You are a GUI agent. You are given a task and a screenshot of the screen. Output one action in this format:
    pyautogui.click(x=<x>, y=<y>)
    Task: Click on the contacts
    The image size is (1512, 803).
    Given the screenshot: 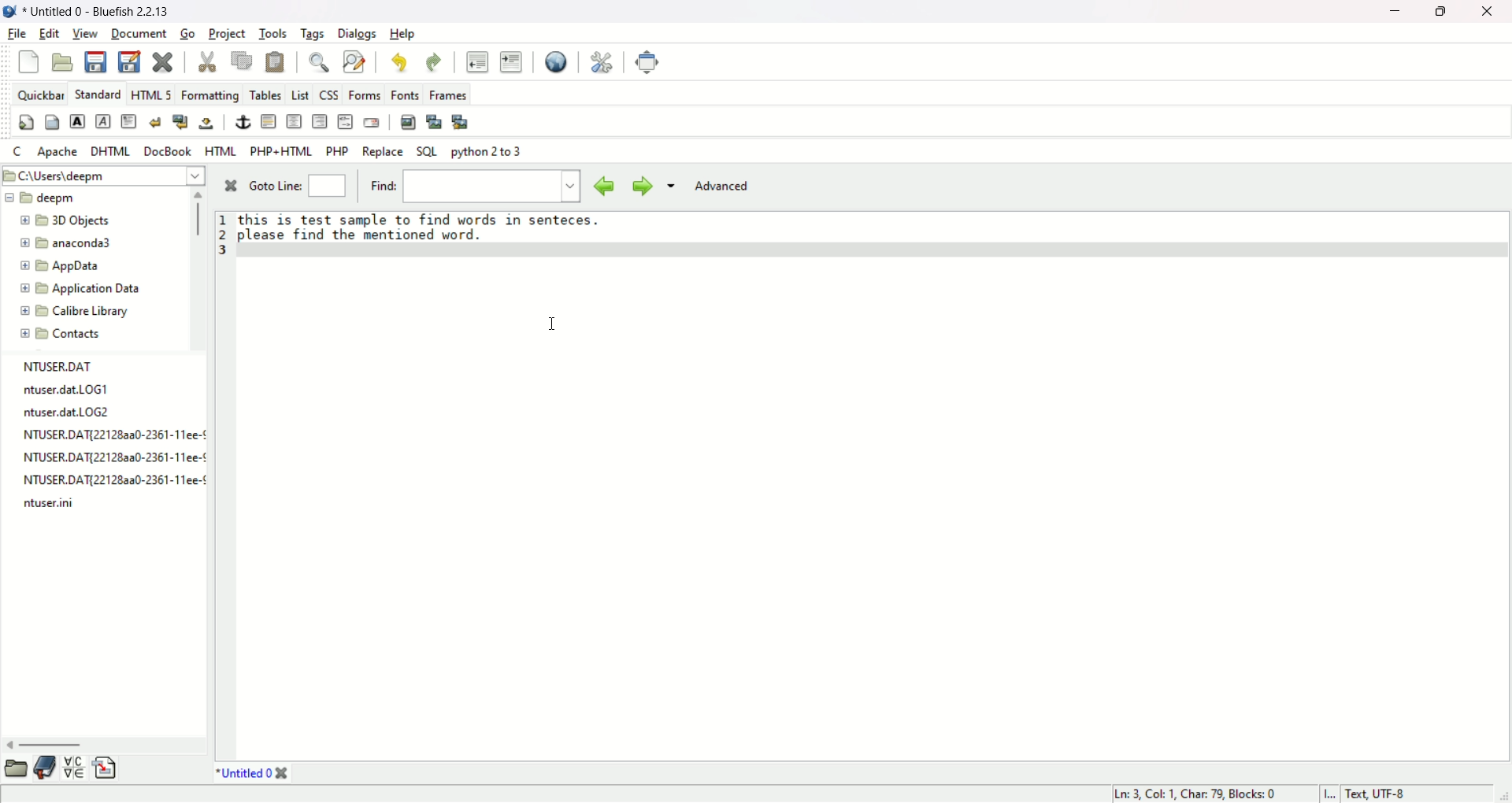 What is the action you would take?
    pyautogui.click(x=60, y=335)
    